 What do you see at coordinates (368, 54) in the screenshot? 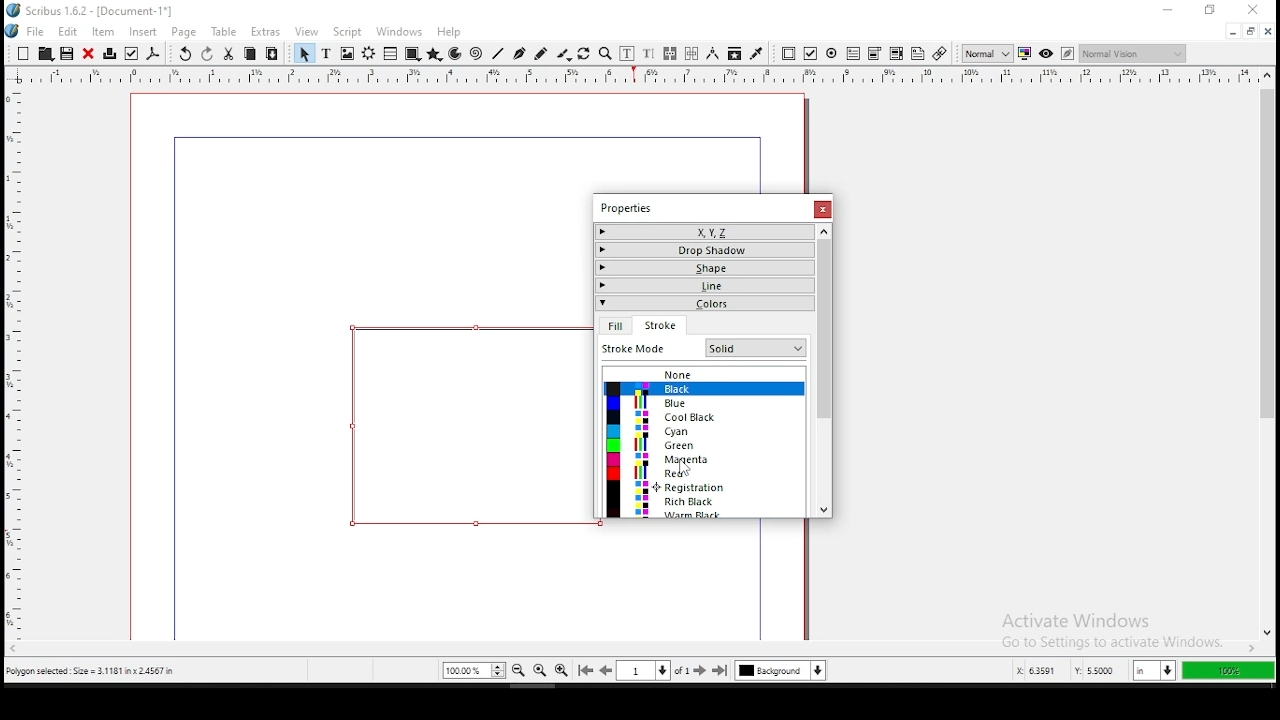
I see `render frame` at bounding box center [368, 54].